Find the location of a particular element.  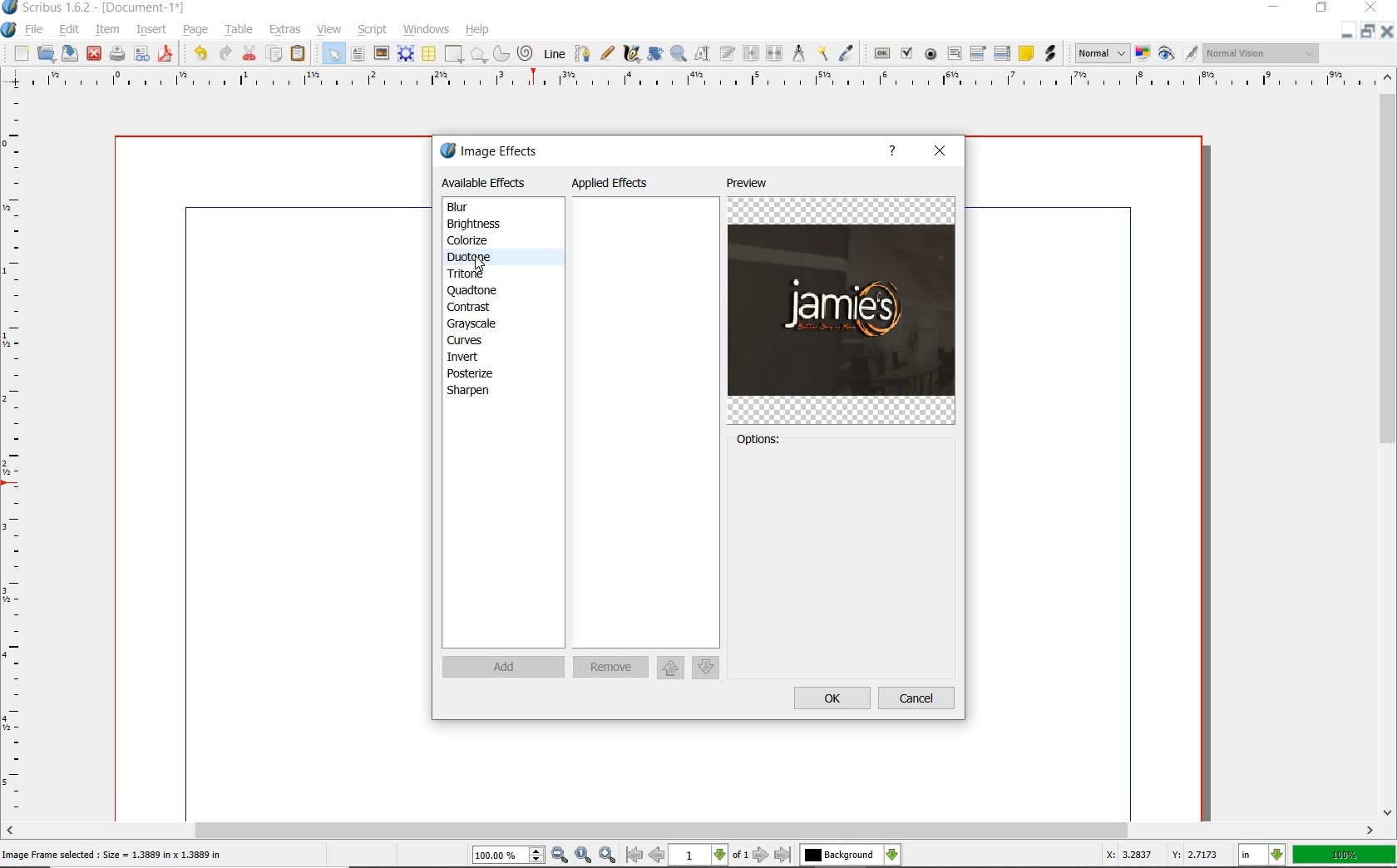

applied effects is located at coordinates (617, 183).